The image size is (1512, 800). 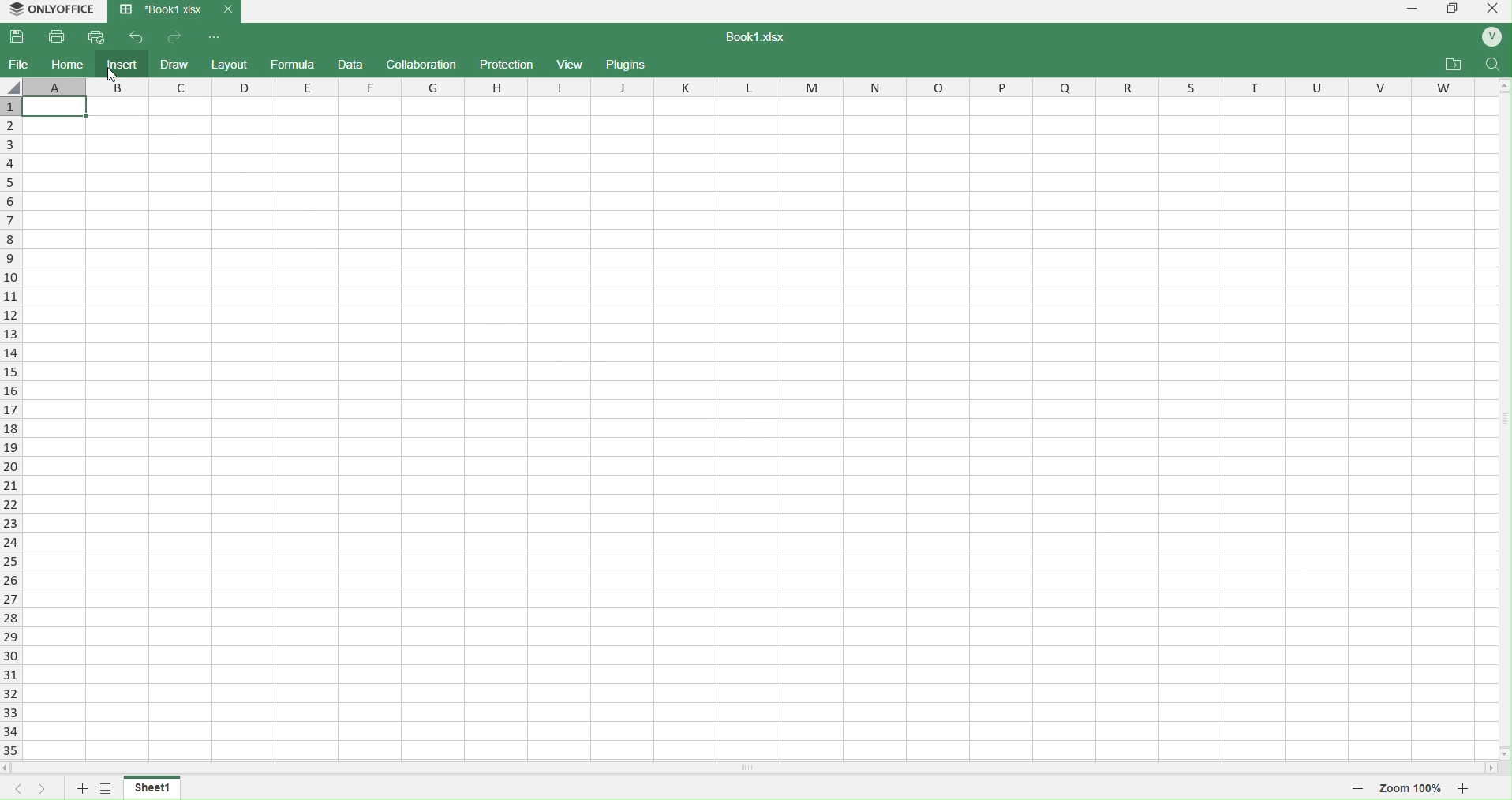 I want to click on next sheet, so click(x=39, y=789).